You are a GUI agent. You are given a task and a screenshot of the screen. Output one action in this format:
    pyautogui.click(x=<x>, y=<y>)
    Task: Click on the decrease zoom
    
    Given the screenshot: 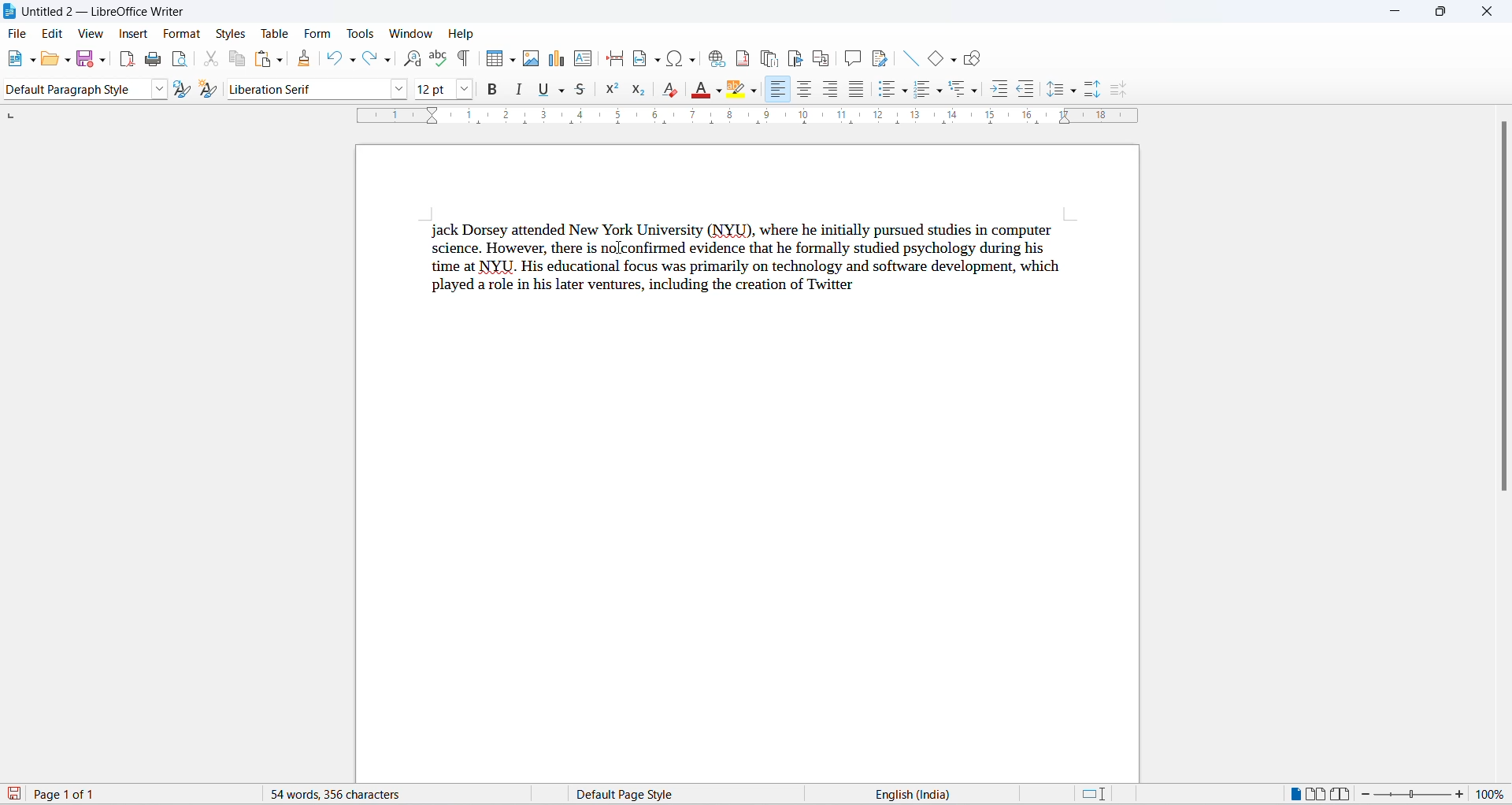 What is the action you would take?
    pyautogui.click(x=1370, y=794)
    